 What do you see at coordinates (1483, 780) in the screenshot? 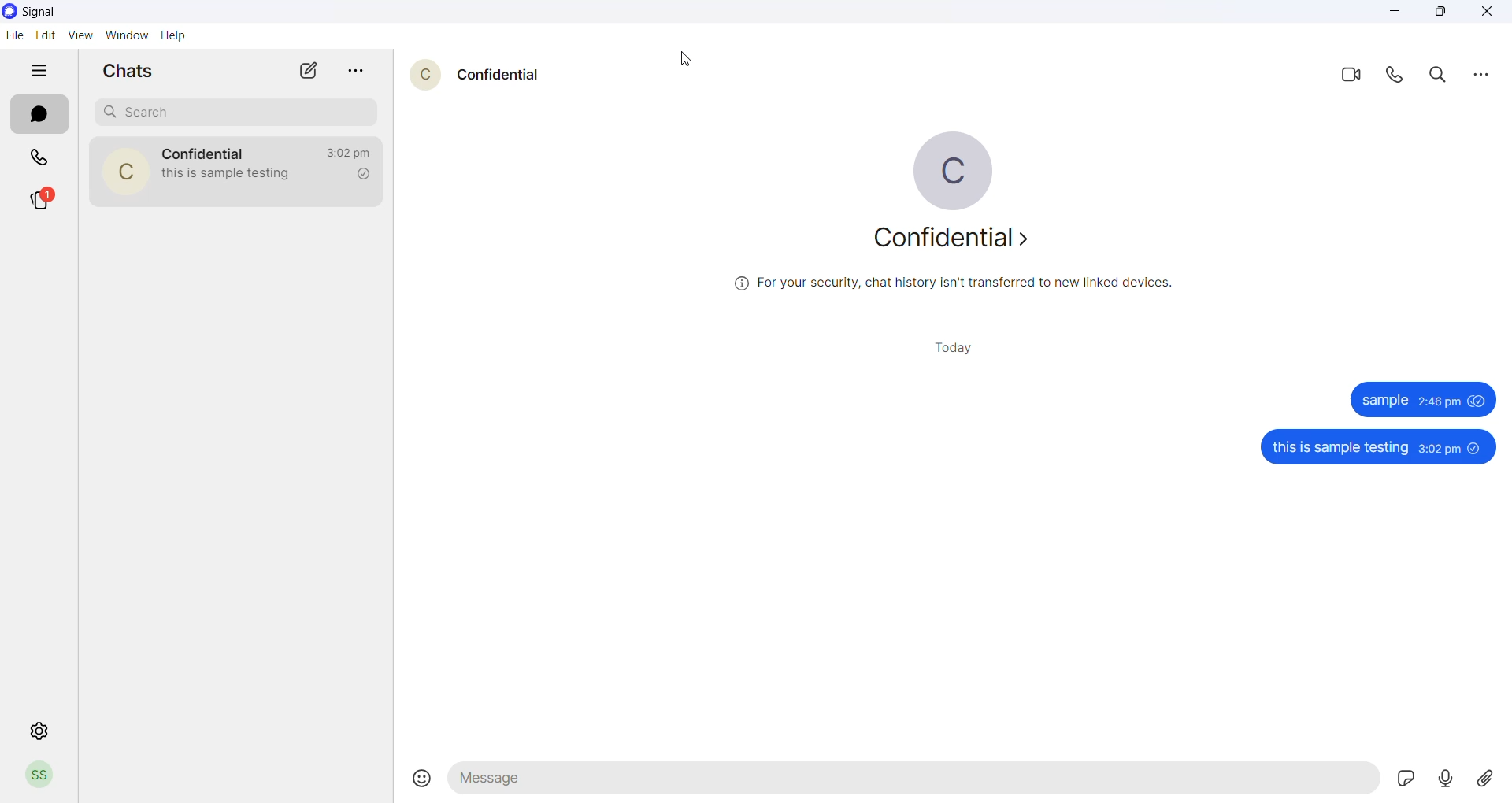
I see `share attachment` at bounding box center [1483, 780].